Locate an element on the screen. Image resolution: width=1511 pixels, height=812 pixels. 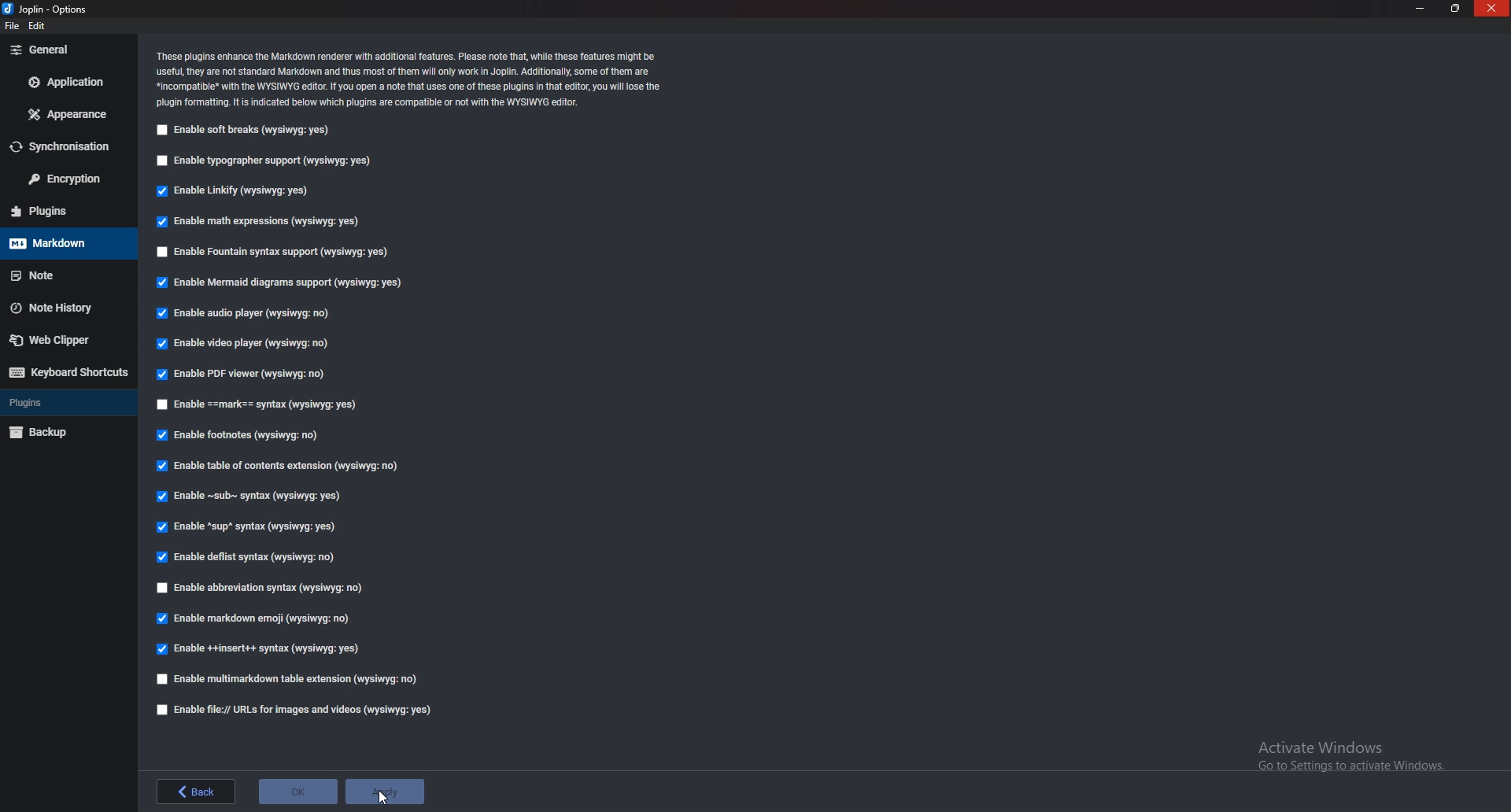
ok is located at coordinates (297, 792).